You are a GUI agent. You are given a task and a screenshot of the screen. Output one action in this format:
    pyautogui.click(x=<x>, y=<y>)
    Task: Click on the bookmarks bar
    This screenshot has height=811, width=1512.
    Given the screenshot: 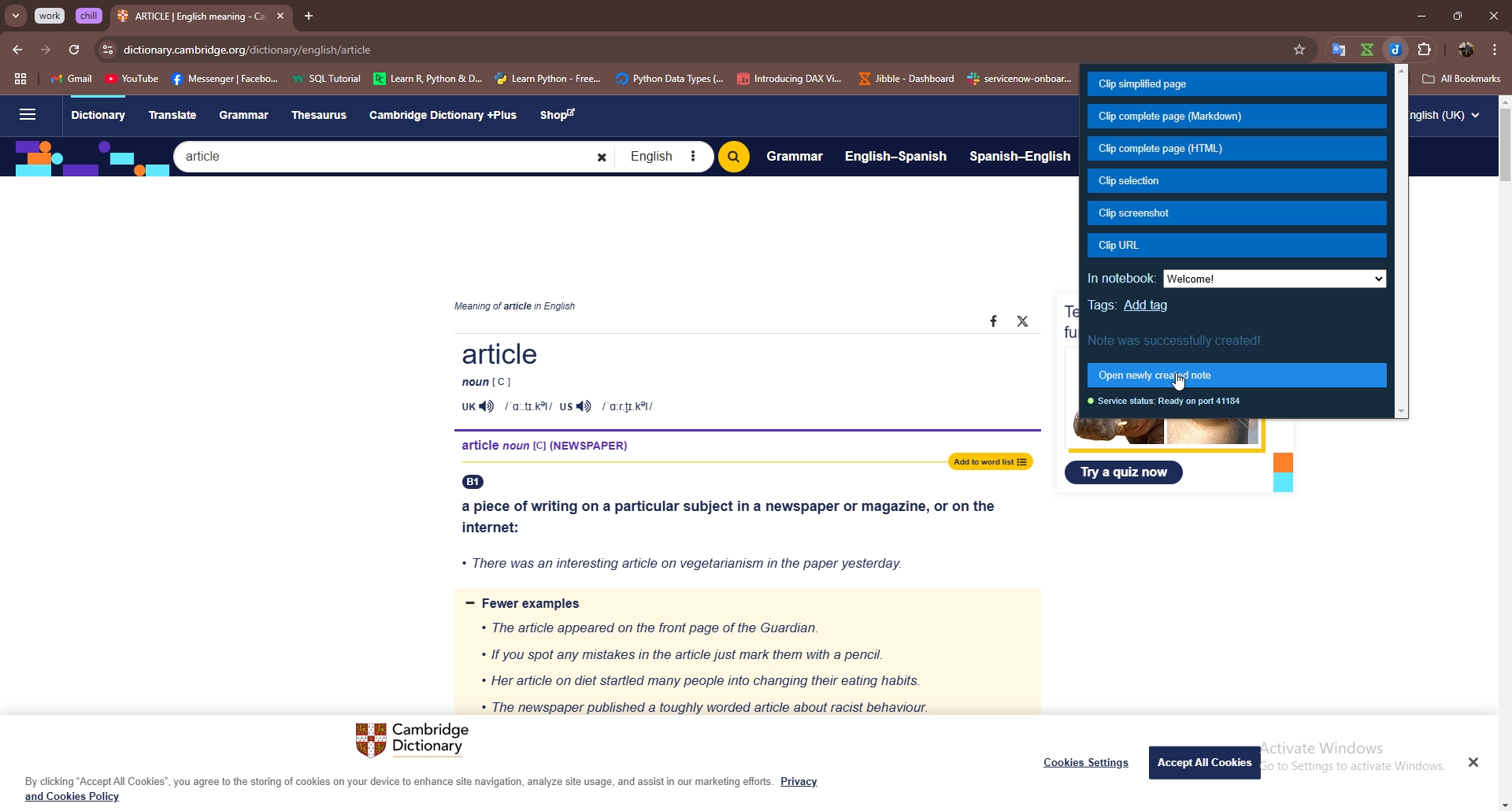 What is the action you would take?
    pyautogui.click(x=563, y=77)
    